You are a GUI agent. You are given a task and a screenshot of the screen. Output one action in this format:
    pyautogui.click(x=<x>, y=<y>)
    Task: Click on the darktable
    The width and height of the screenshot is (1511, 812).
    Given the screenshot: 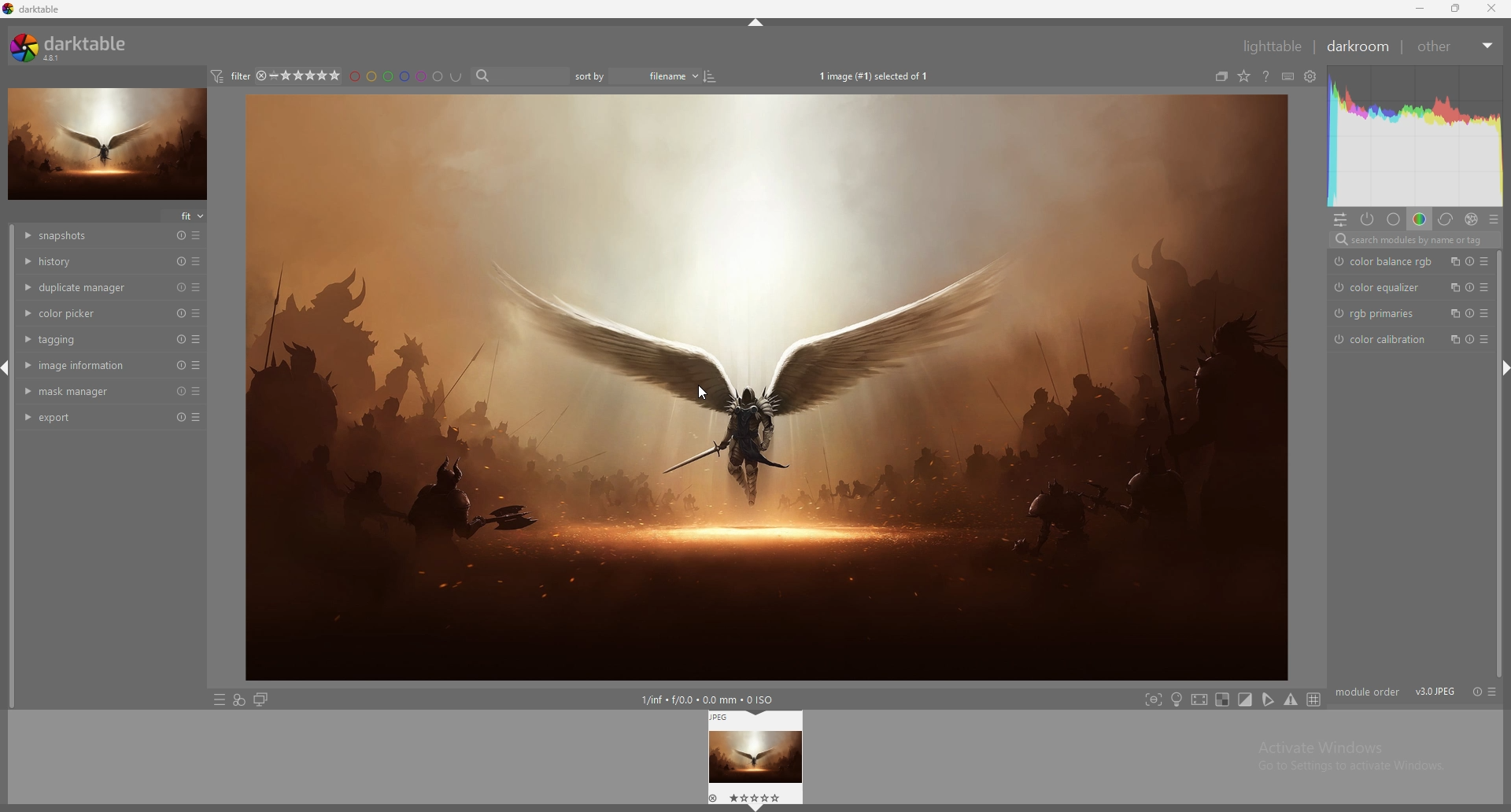 What is the action you would take?
    pyautogui.click(x=33, y=9)
    